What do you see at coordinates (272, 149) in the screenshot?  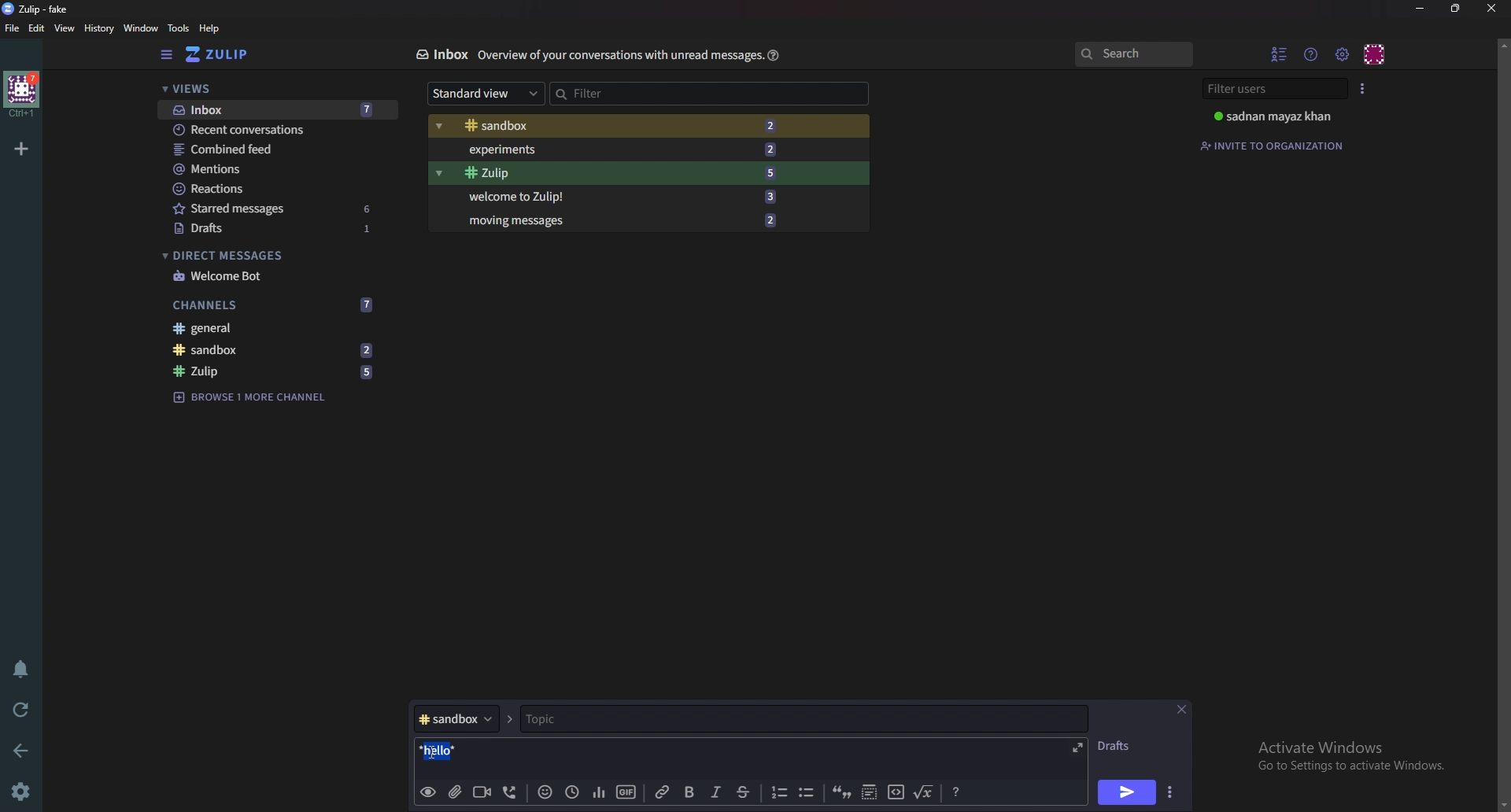 I see `Combined feed` at bounding box center [272, 149].